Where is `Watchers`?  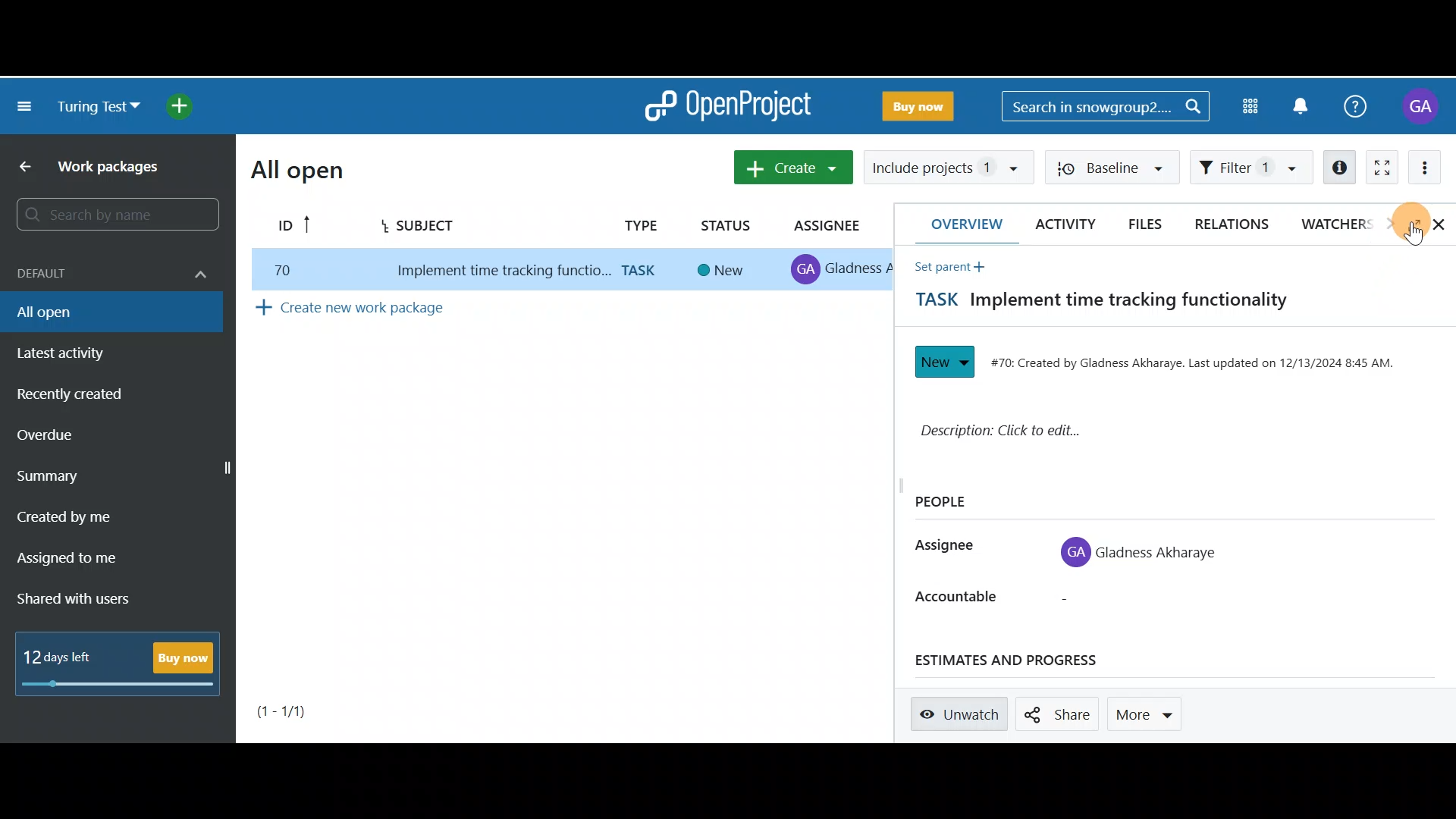 Watchers is located at coordinates (1335, 224).